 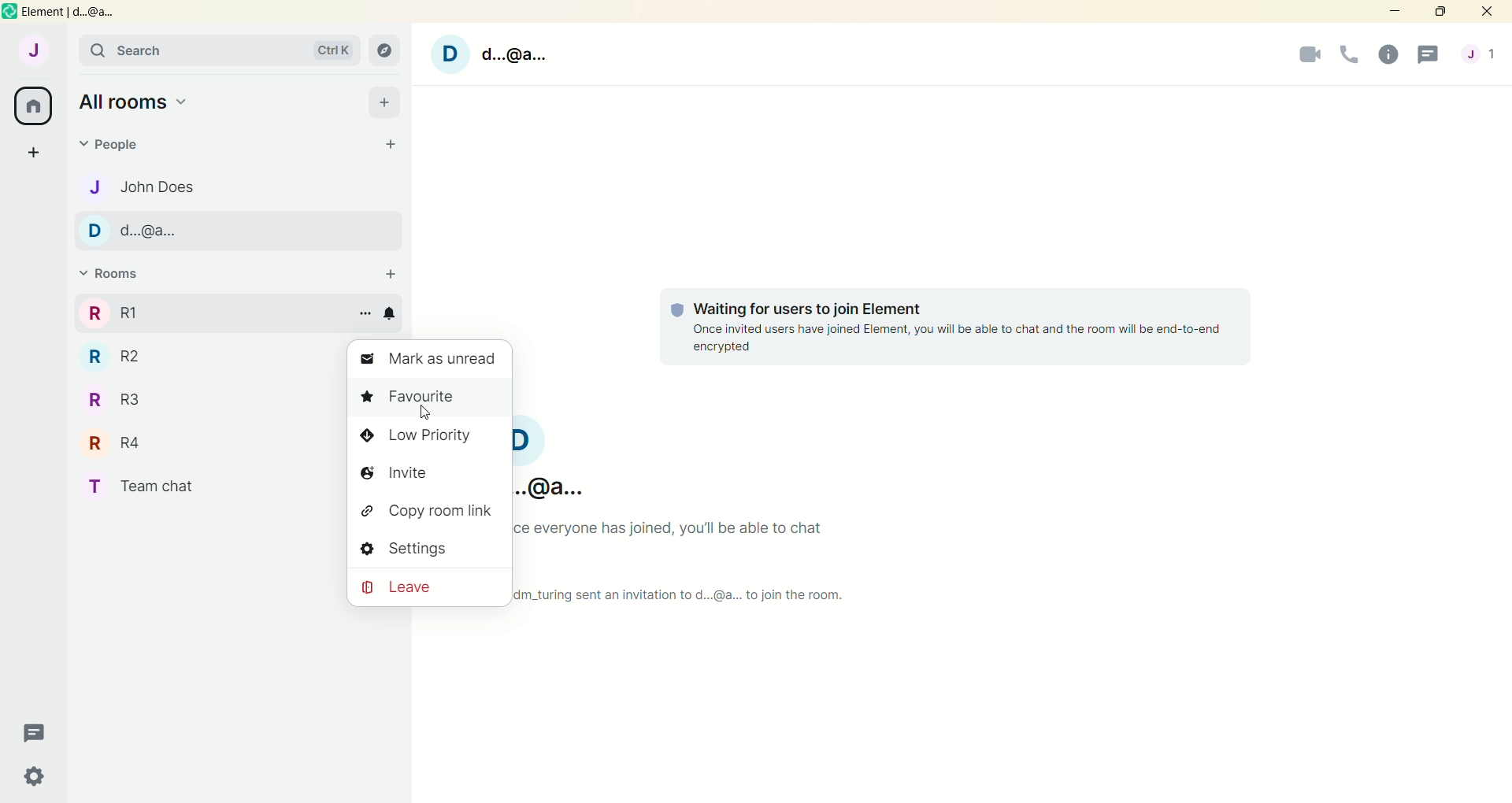 What do you see at coordinates (1432, 56) in the screenshot?
I see `Chat` at bounding box center [1432, 56].